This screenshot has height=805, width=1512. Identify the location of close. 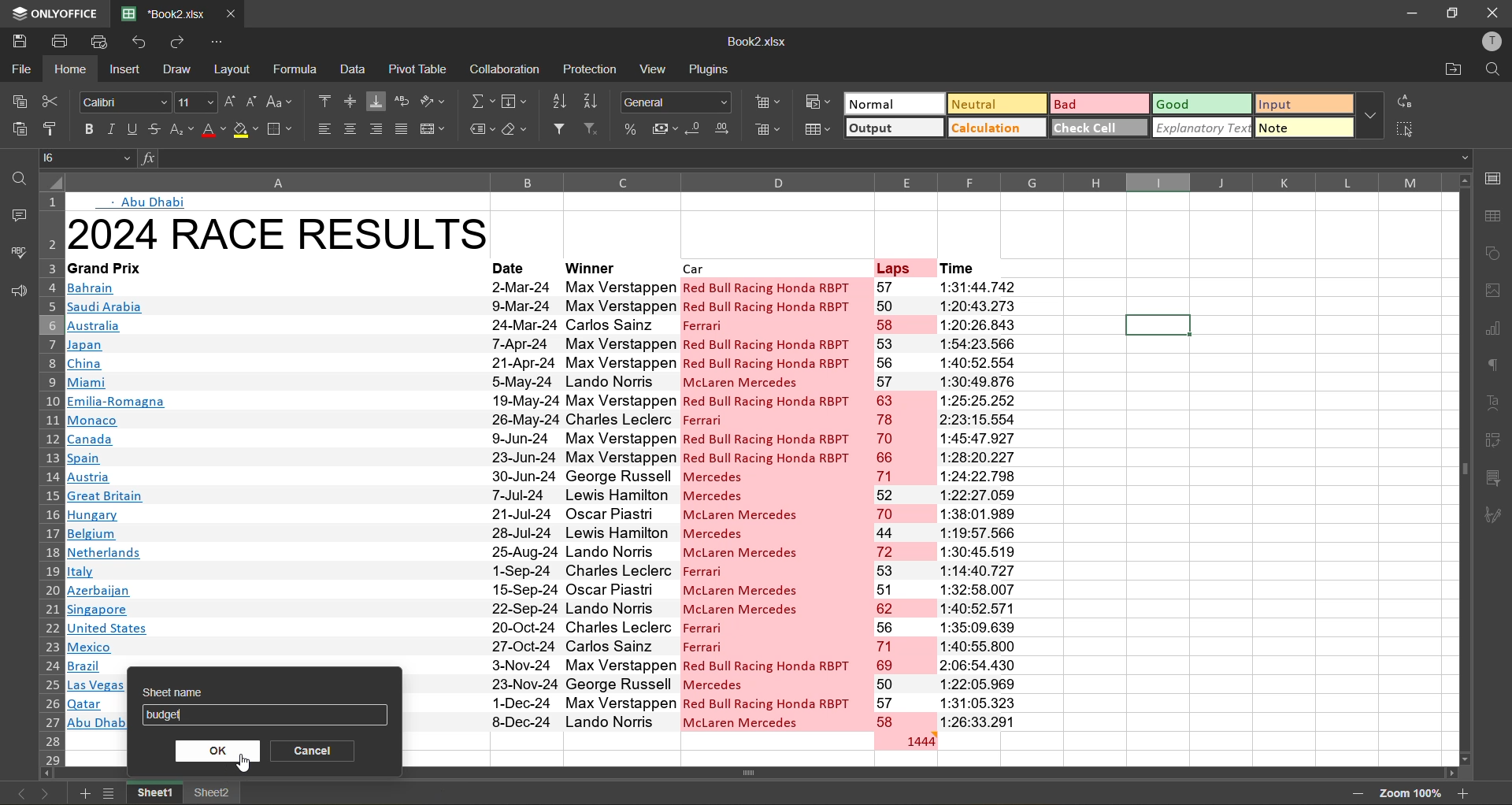
(1493, 14).